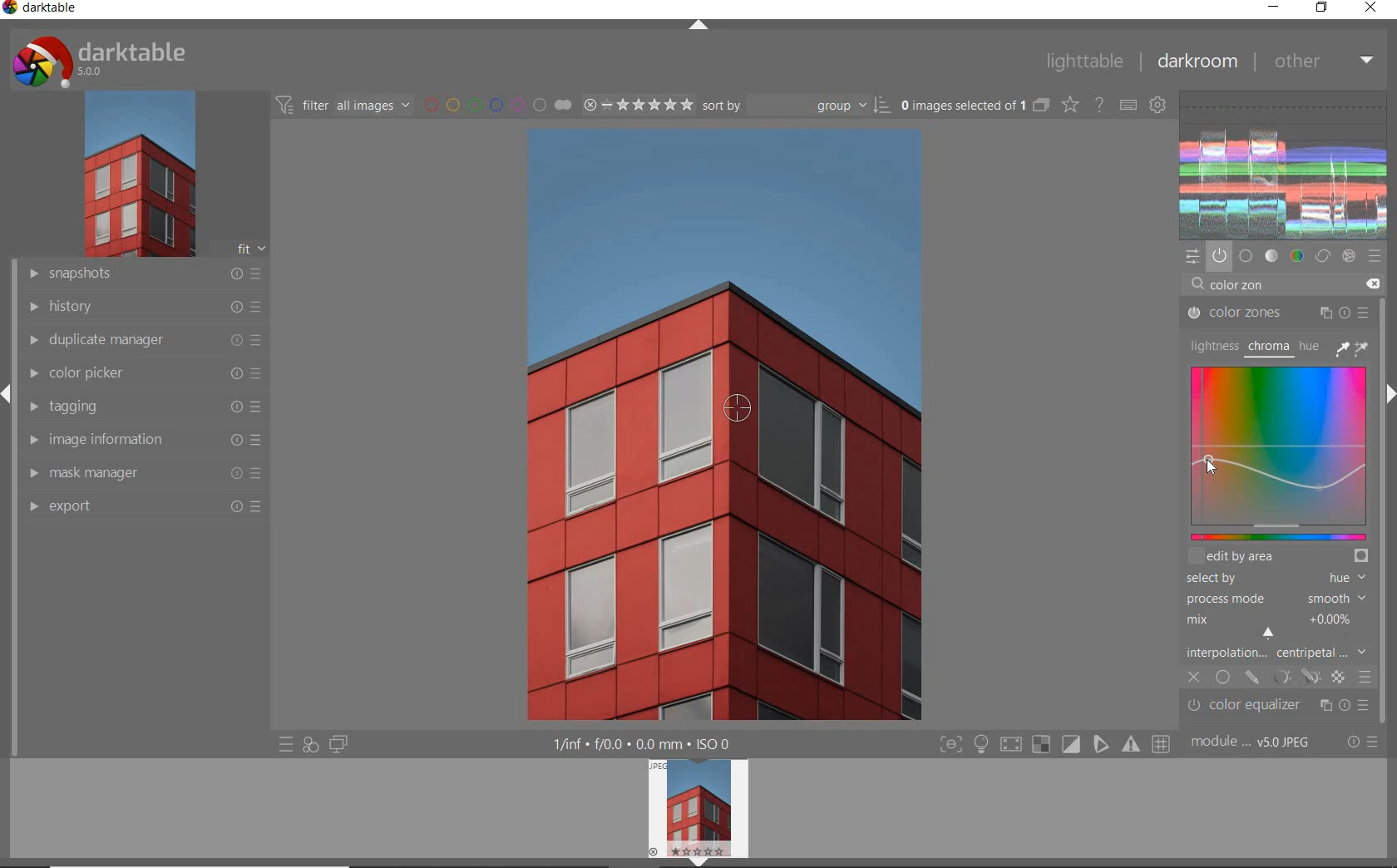 This screenshot has width=1397, height=868. Describe the element at coordinates (1229, 287) in the screenshot. I see `INPUT VALUE` at that location.